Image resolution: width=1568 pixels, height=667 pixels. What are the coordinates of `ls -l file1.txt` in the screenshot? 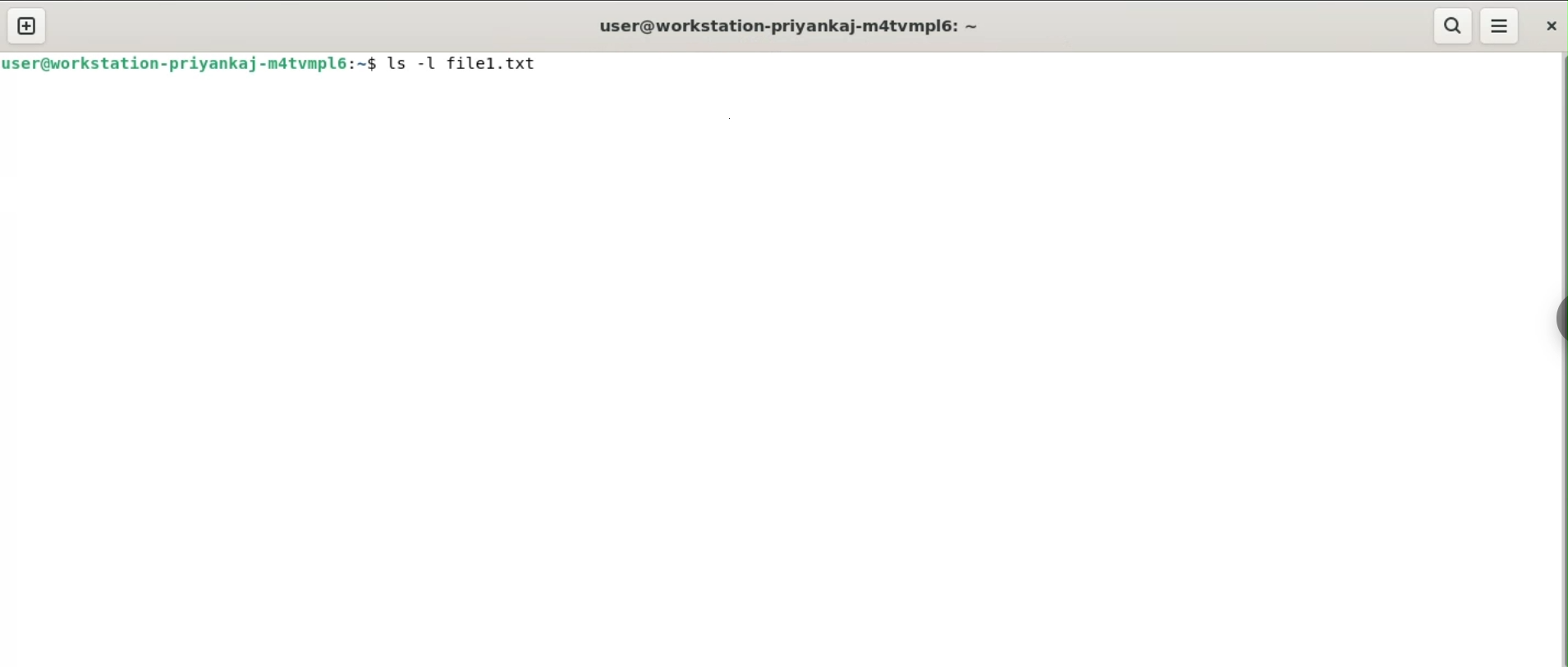 It's located at (464, 62).